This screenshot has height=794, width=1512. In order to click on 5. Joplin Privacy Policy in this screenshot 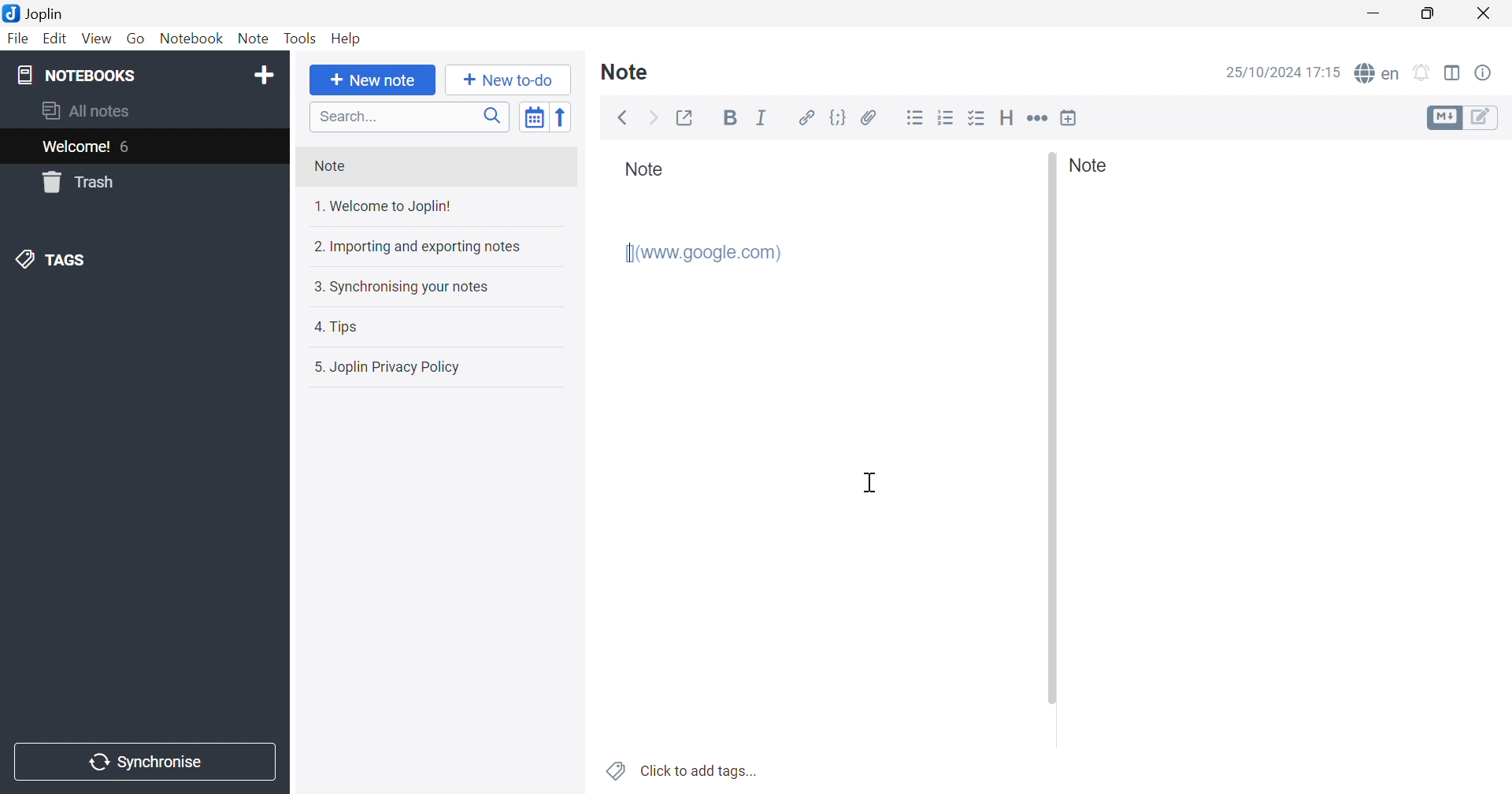, I will do `click(432, 368)`.